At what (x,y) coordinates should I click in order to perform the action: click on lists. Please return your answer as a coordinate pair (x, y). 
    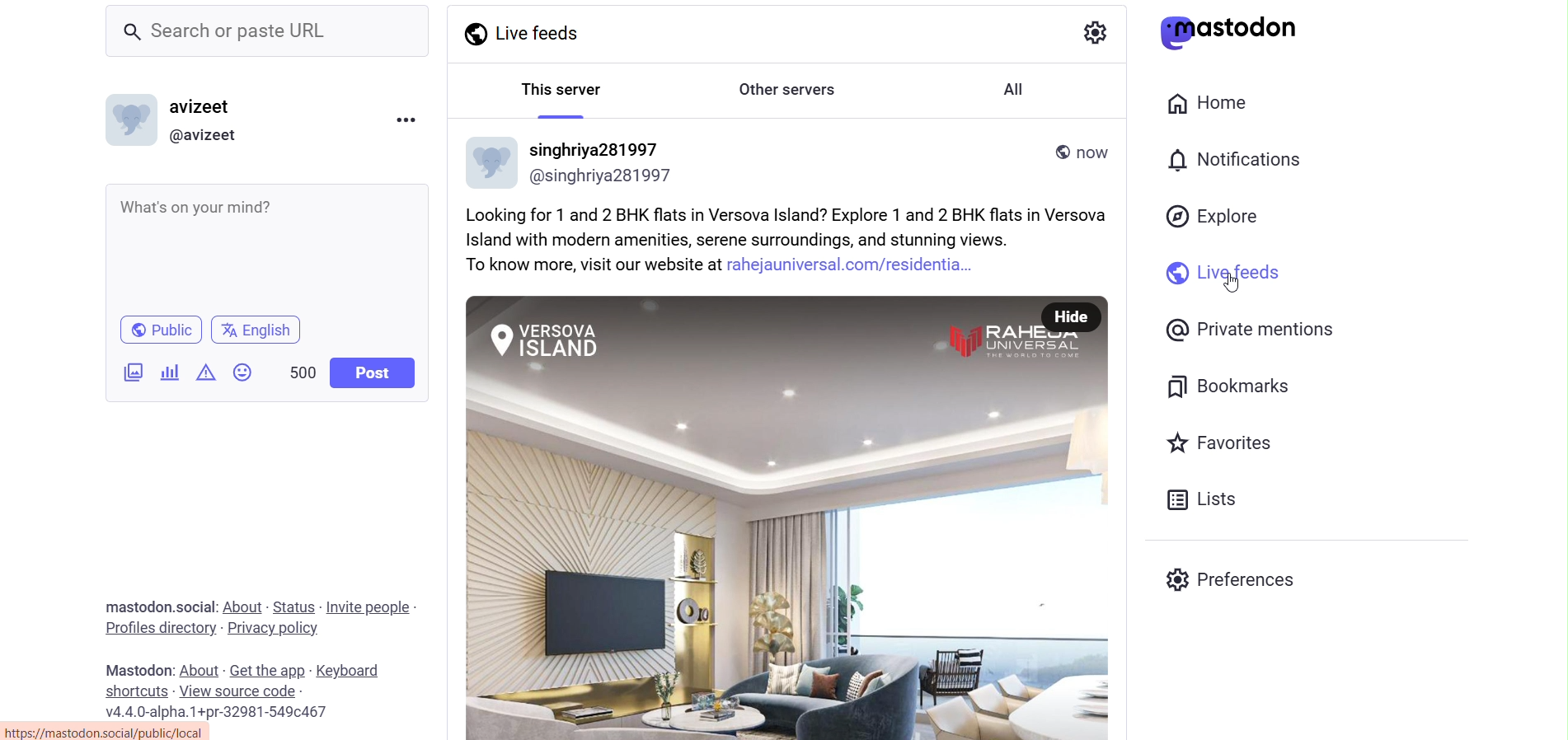
    Looking at the image, I should click on (1203, 501).